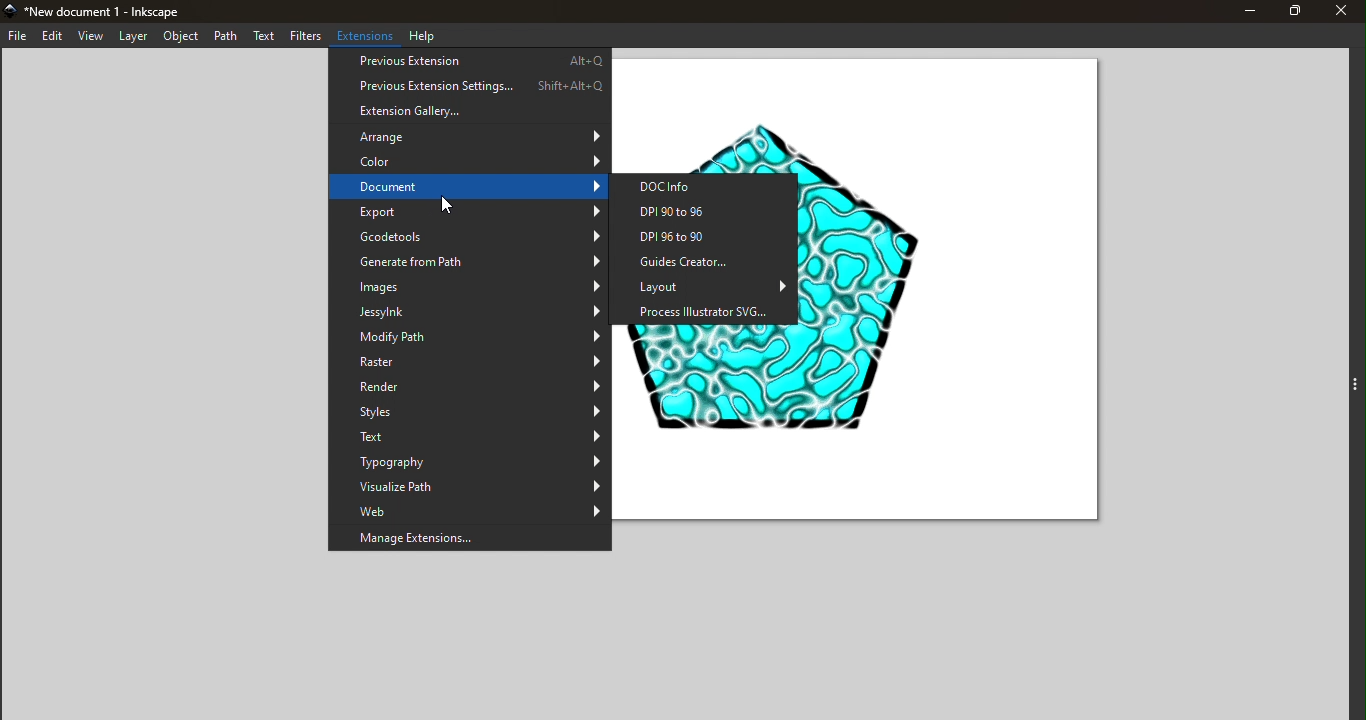 The image size is (1366, 720). I want to click on Visualize Path, so click(468, 487).